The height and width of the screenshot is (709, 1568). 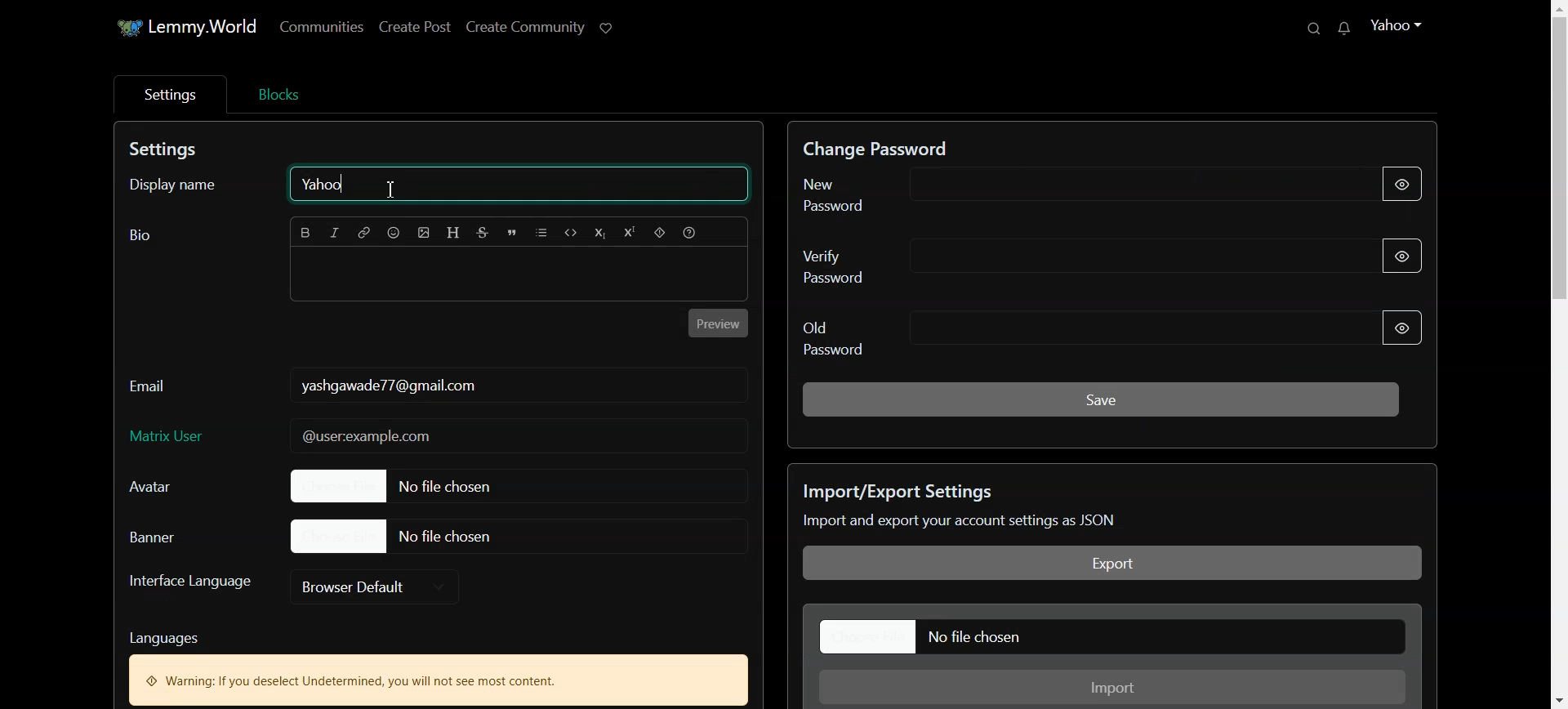 I want to click on List, so click(x=543, y=234).